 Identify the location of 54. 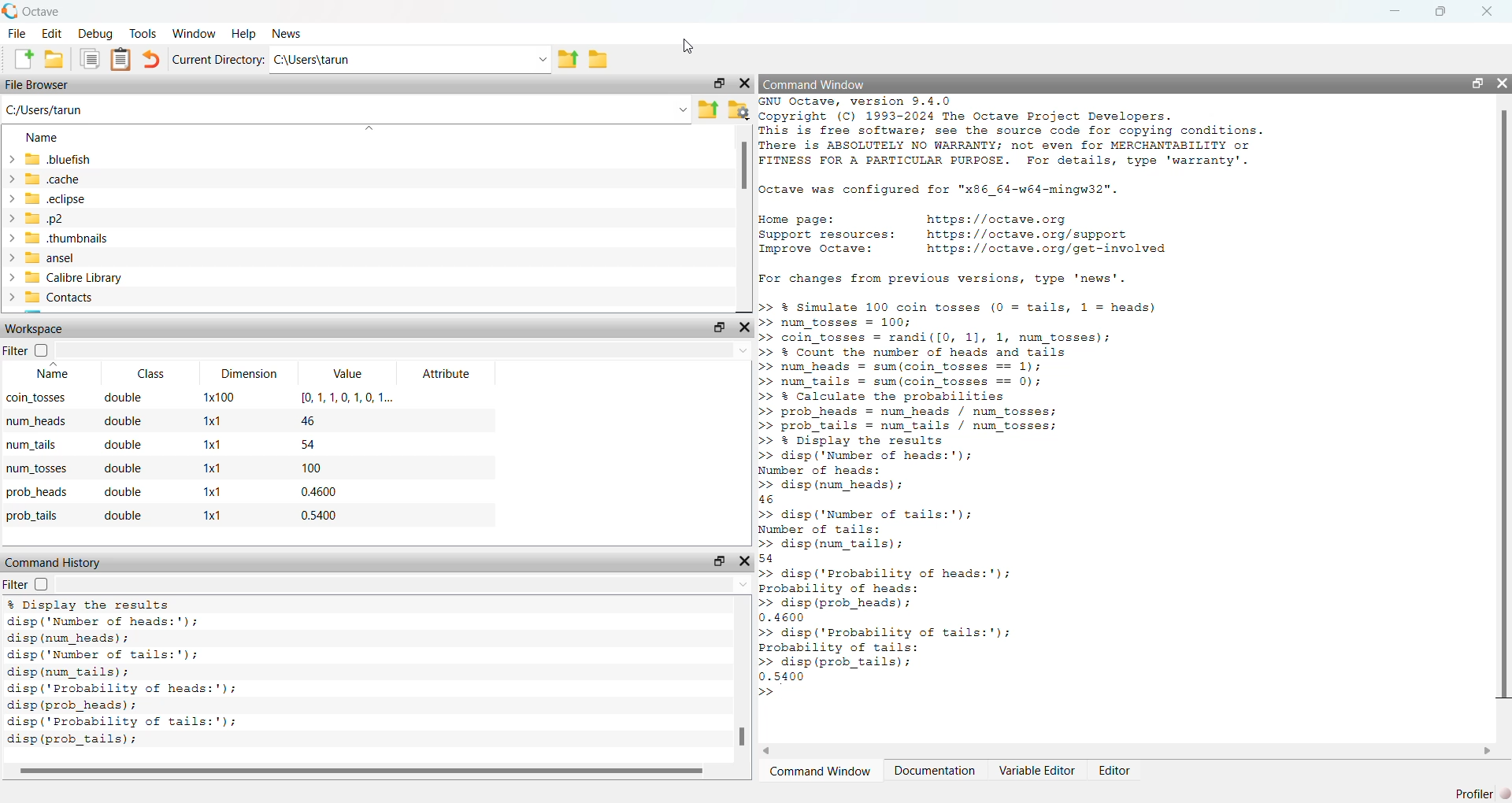
(309, 443).